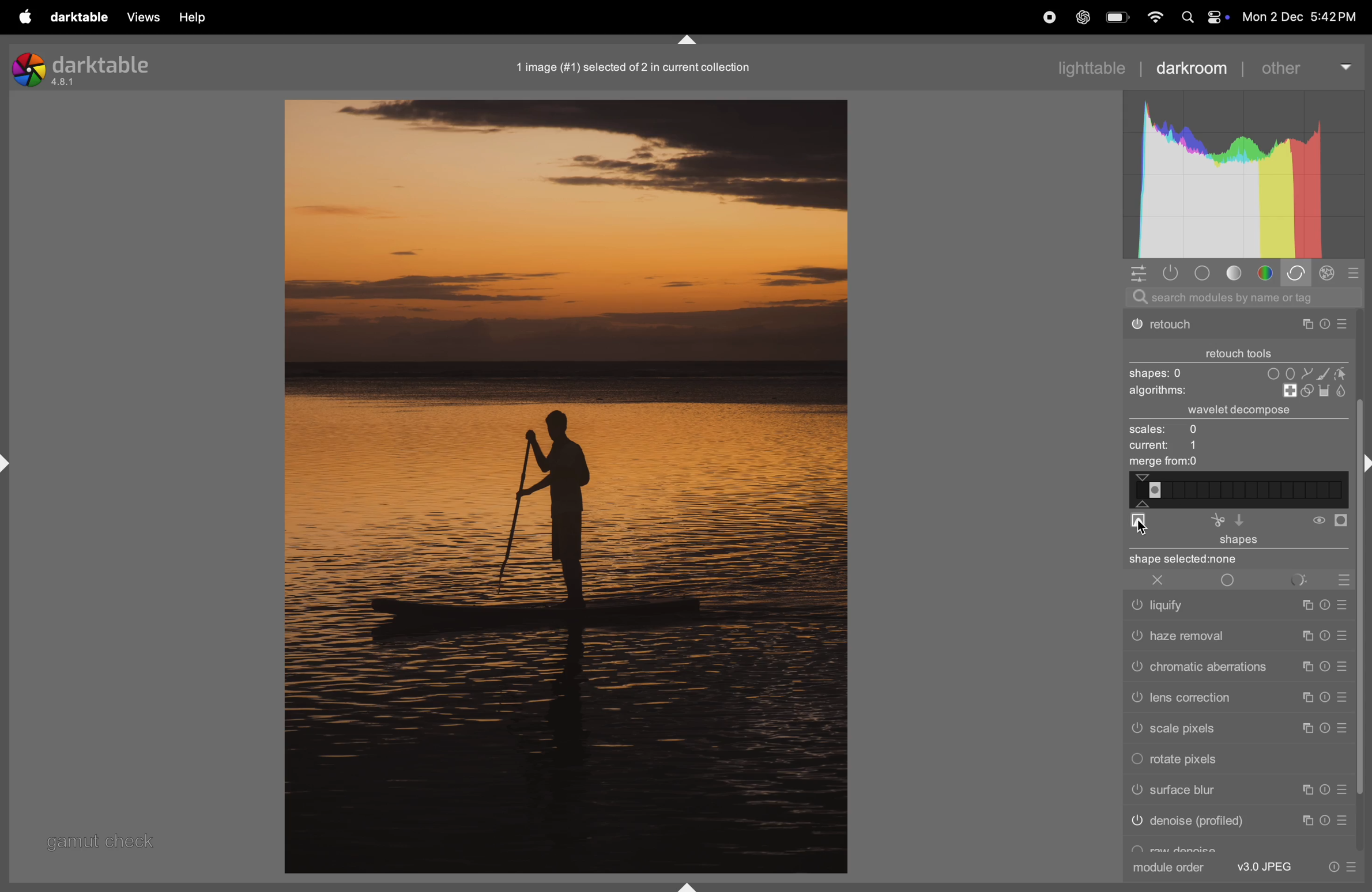 This screenshot has width=1372, height=892. I want to click on expand, so click(11, 462).